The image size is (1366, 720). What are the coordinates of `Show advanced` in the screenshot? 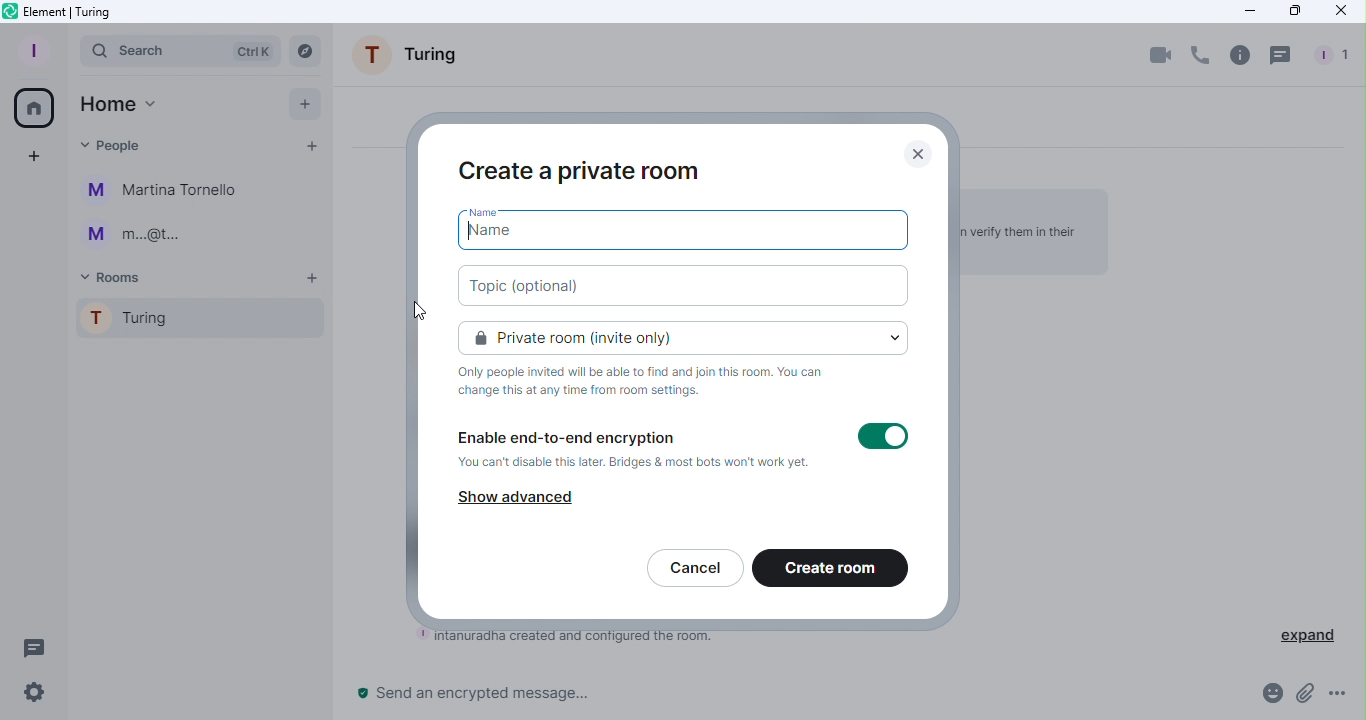 It's located at (518, 496).